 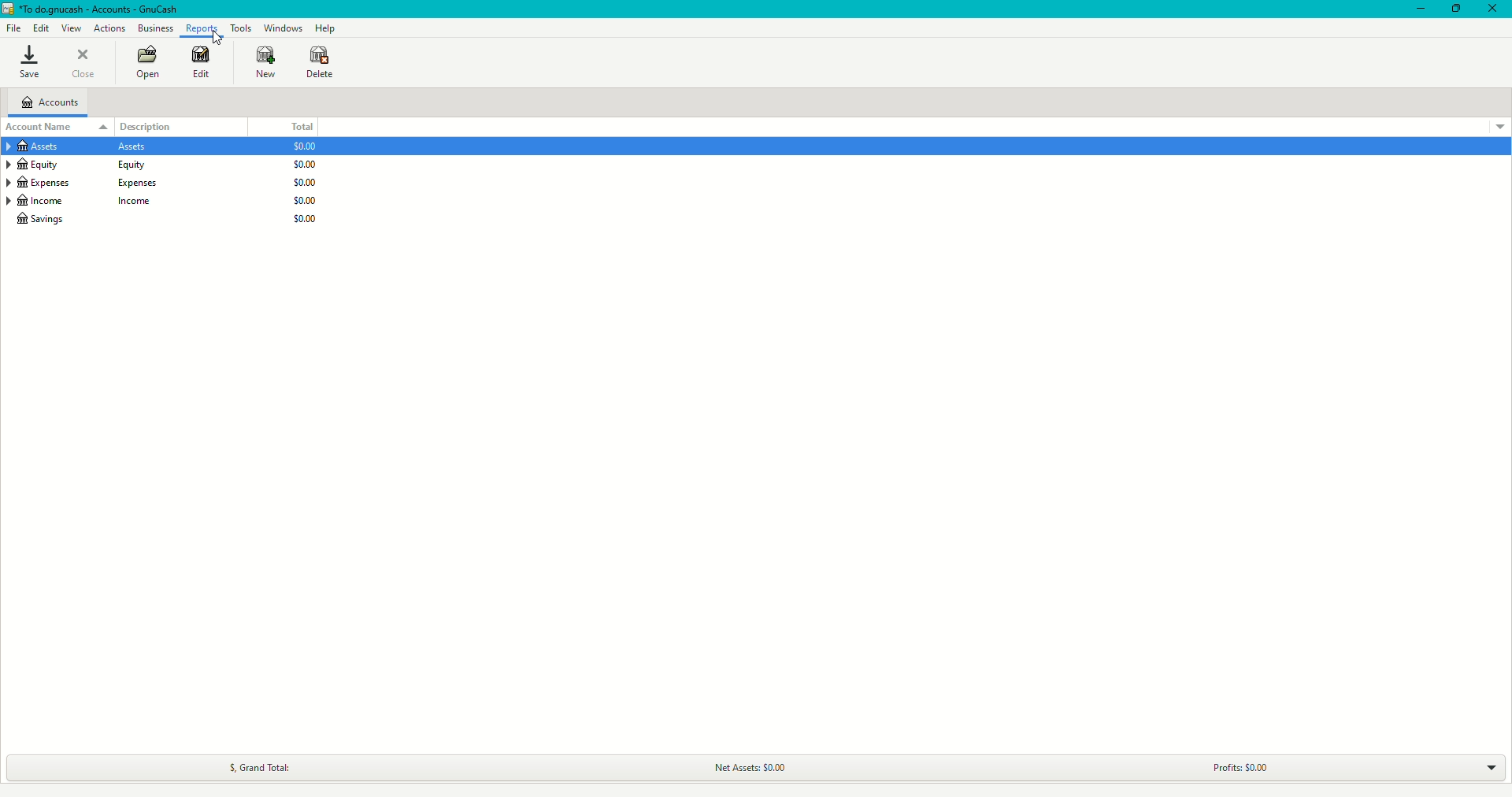 What do you see at coordinates (154, 124) in the screenshot?
I see `Description` at bounding box center [154, 124].